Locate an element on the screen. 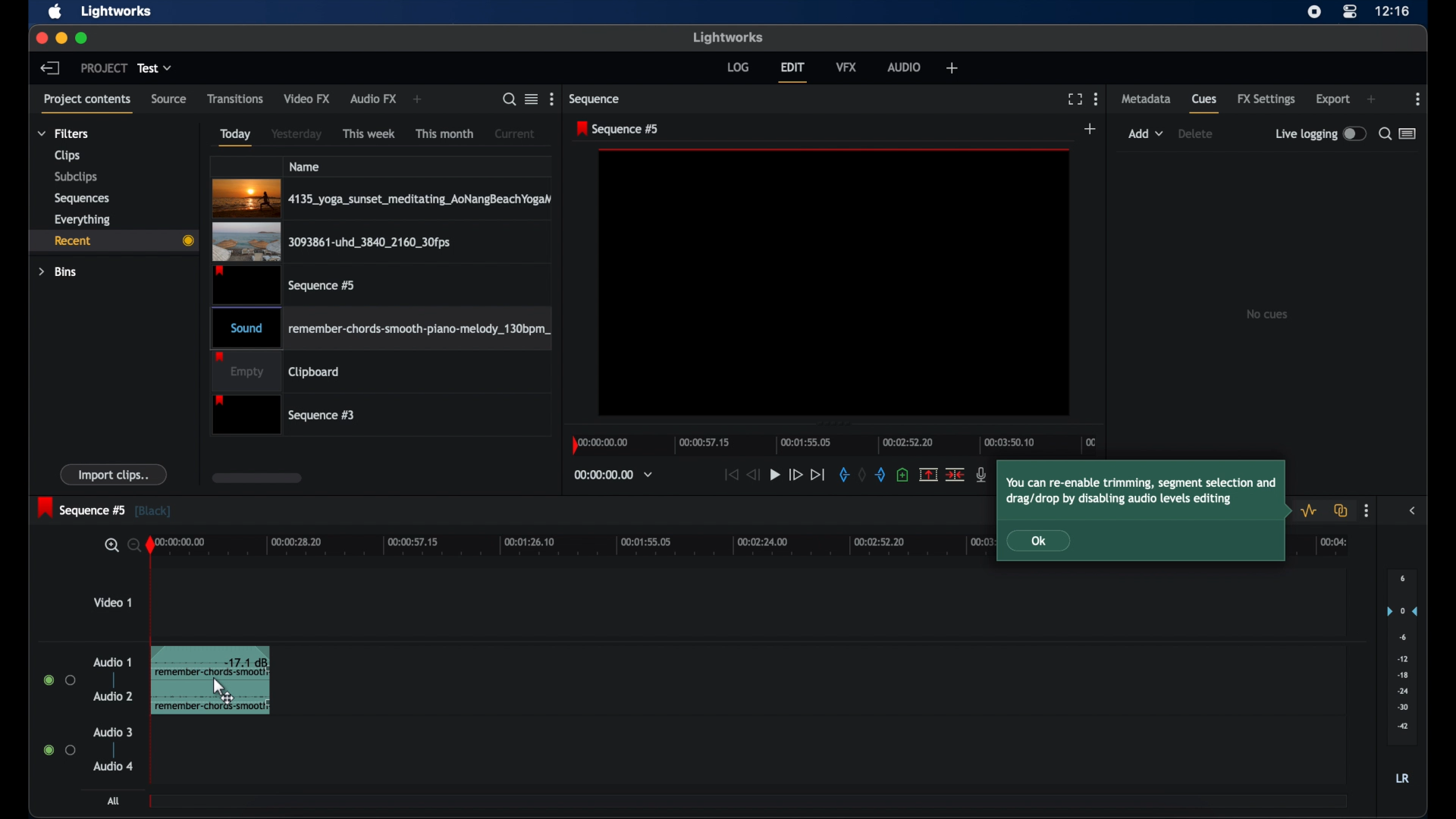 This screenshot has width=1456, height=819. audio 2 is located at coordinates (112, 696).